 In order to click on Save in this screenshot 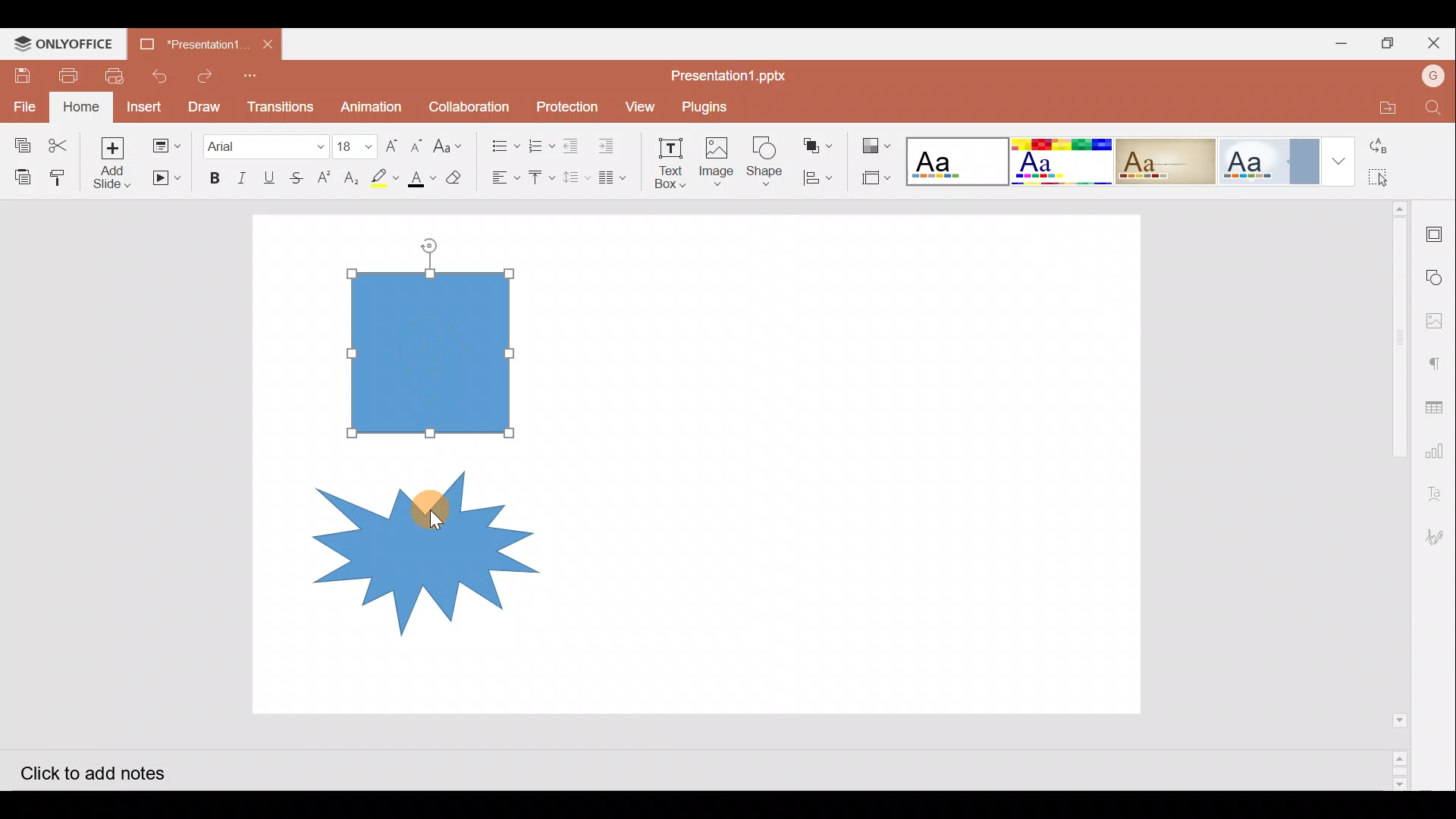, I will do `click(24, 71)`.